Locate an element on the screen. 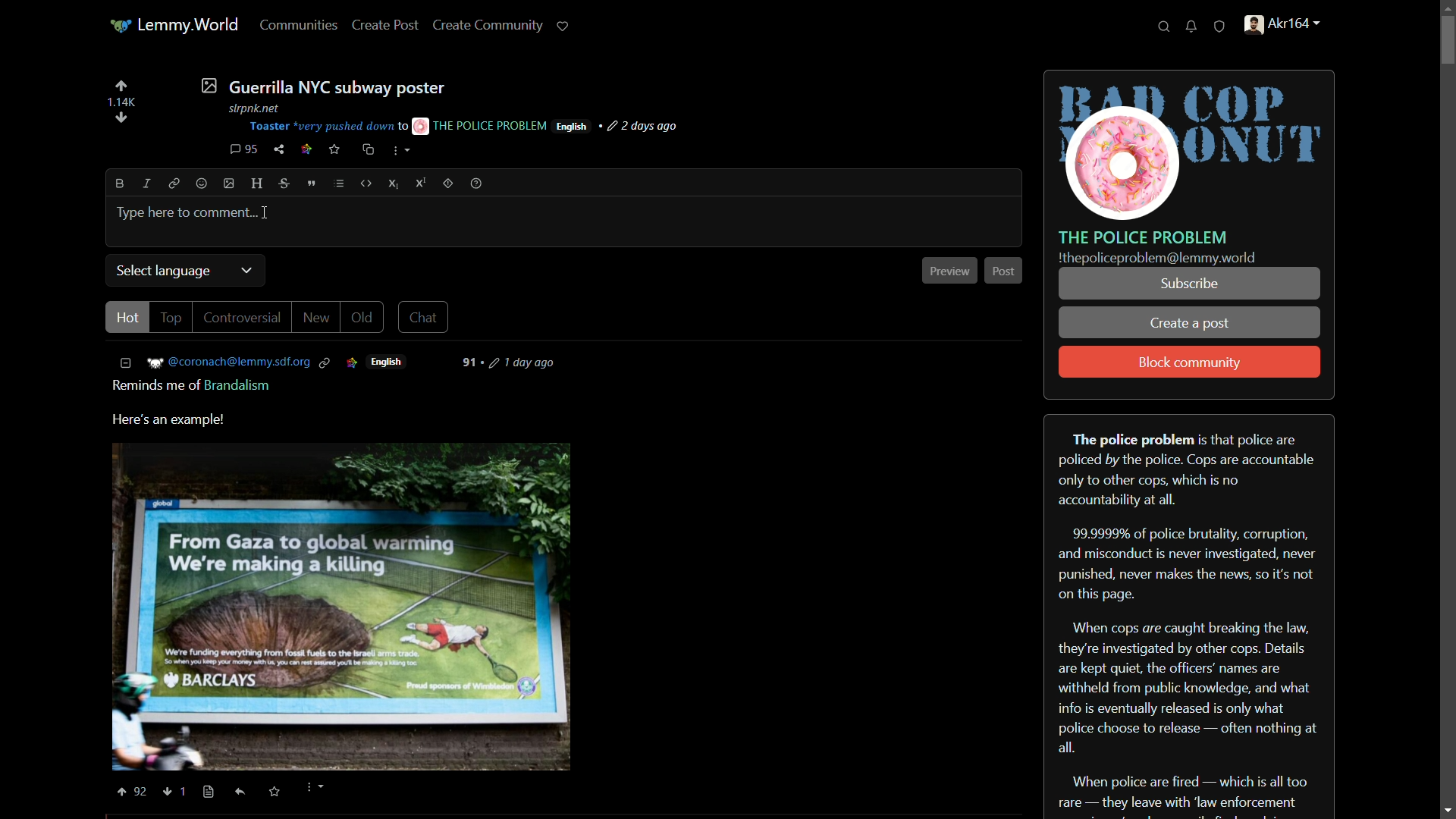 The height and width of the screenshot is (819, 1456). text is located at coordinates (194, 388).